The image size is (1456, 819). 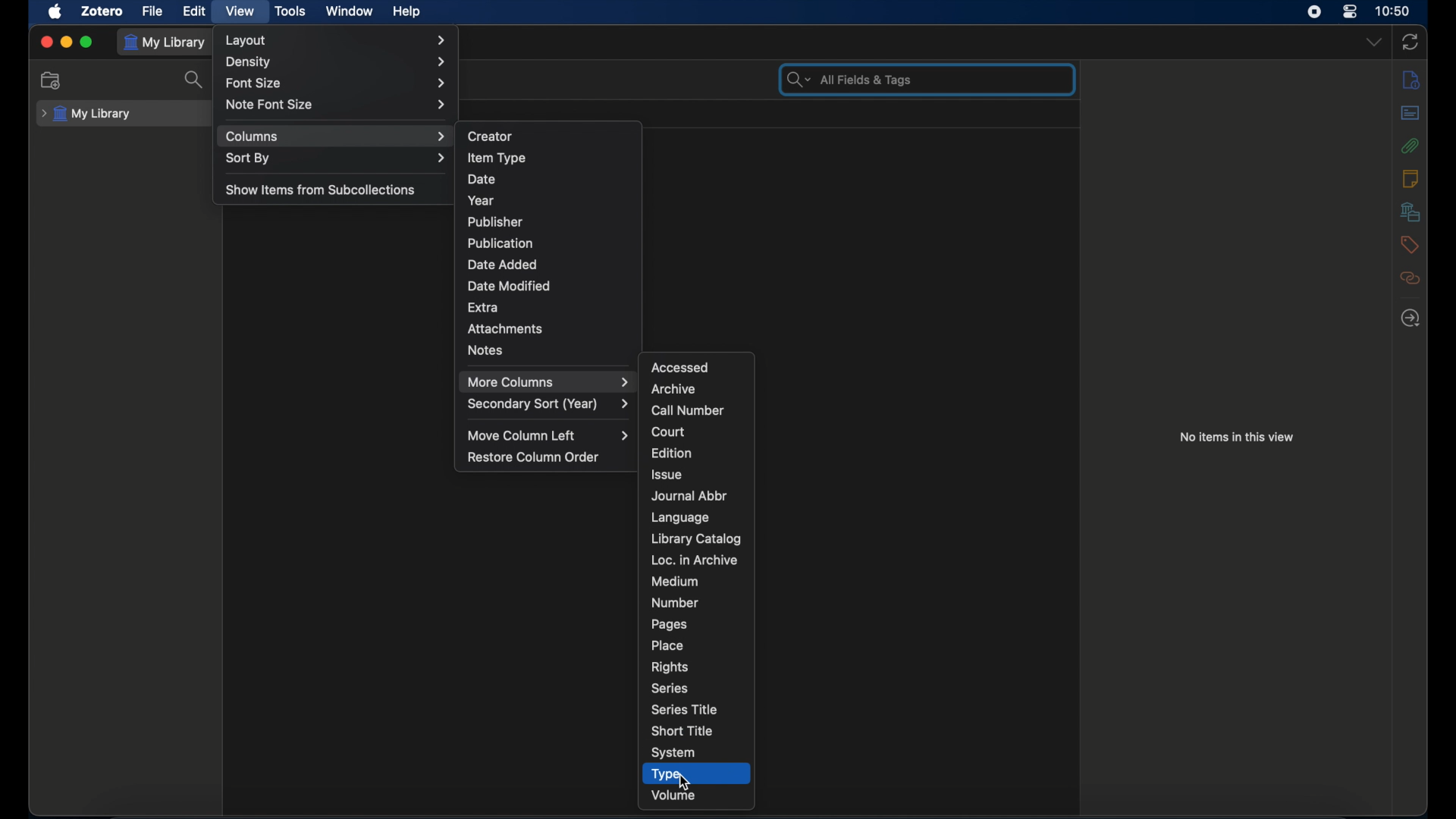 I want to click on minimize, so click(x=65, y=42).